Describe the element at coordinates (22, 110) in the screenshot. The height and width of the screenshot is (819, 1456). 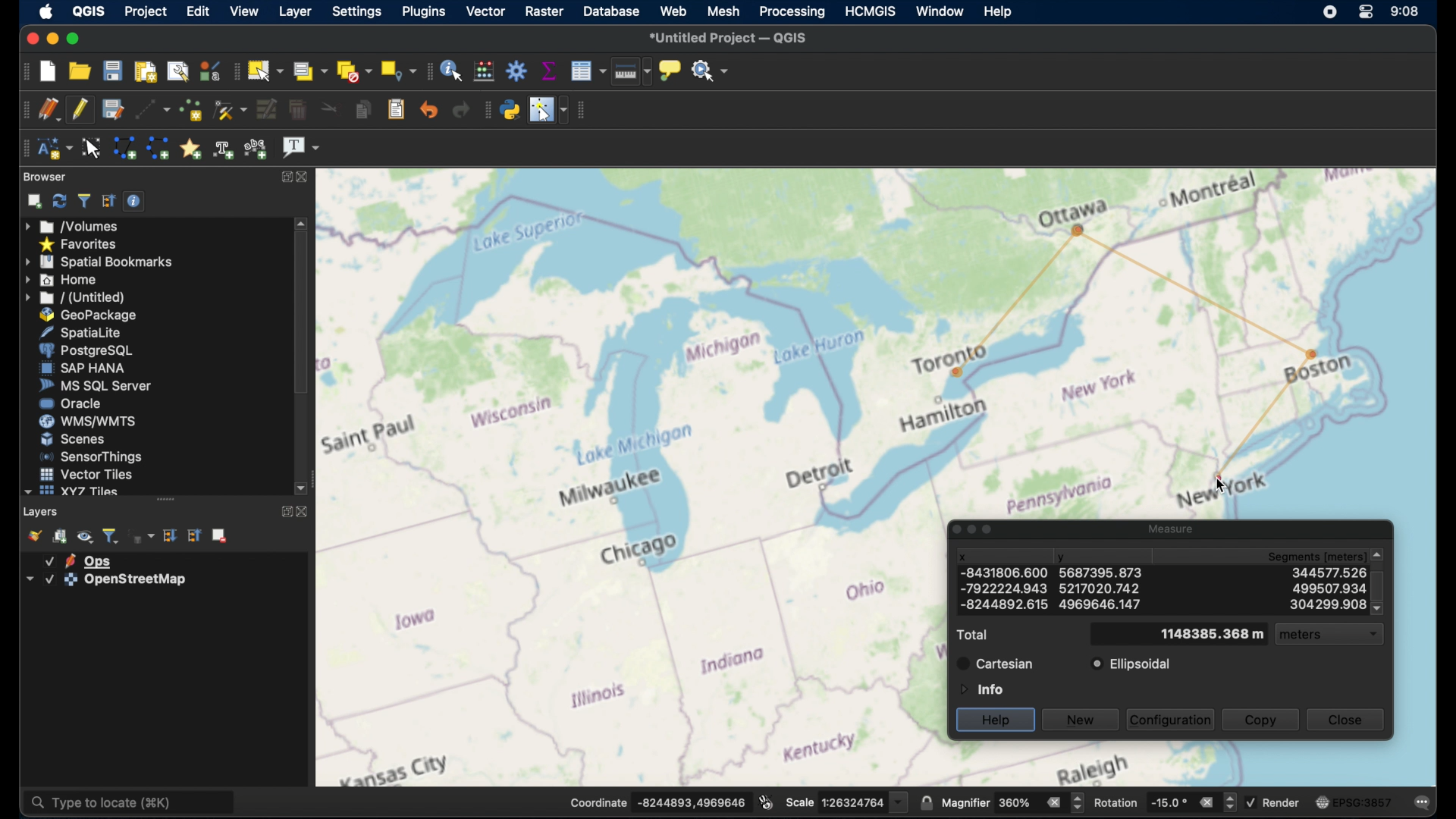
I see `digitizing toolbar` at that location.